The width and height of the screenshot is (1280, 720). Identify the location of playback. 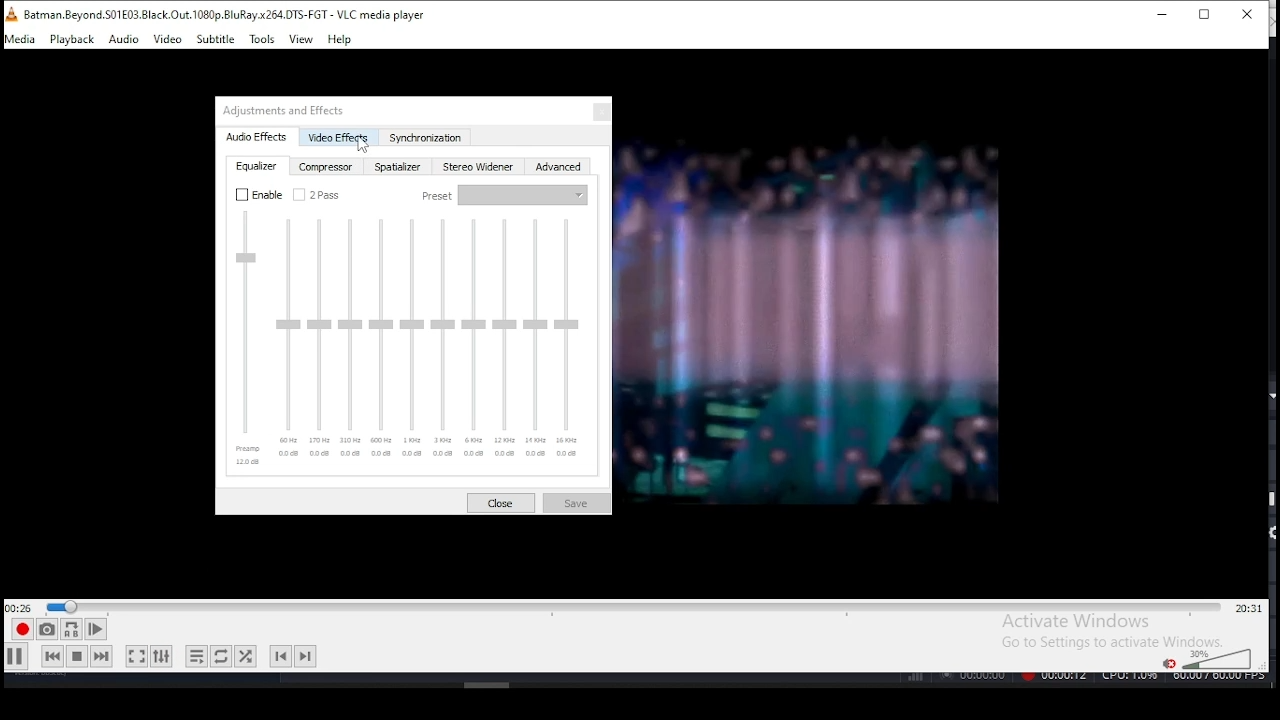
(72, 40).